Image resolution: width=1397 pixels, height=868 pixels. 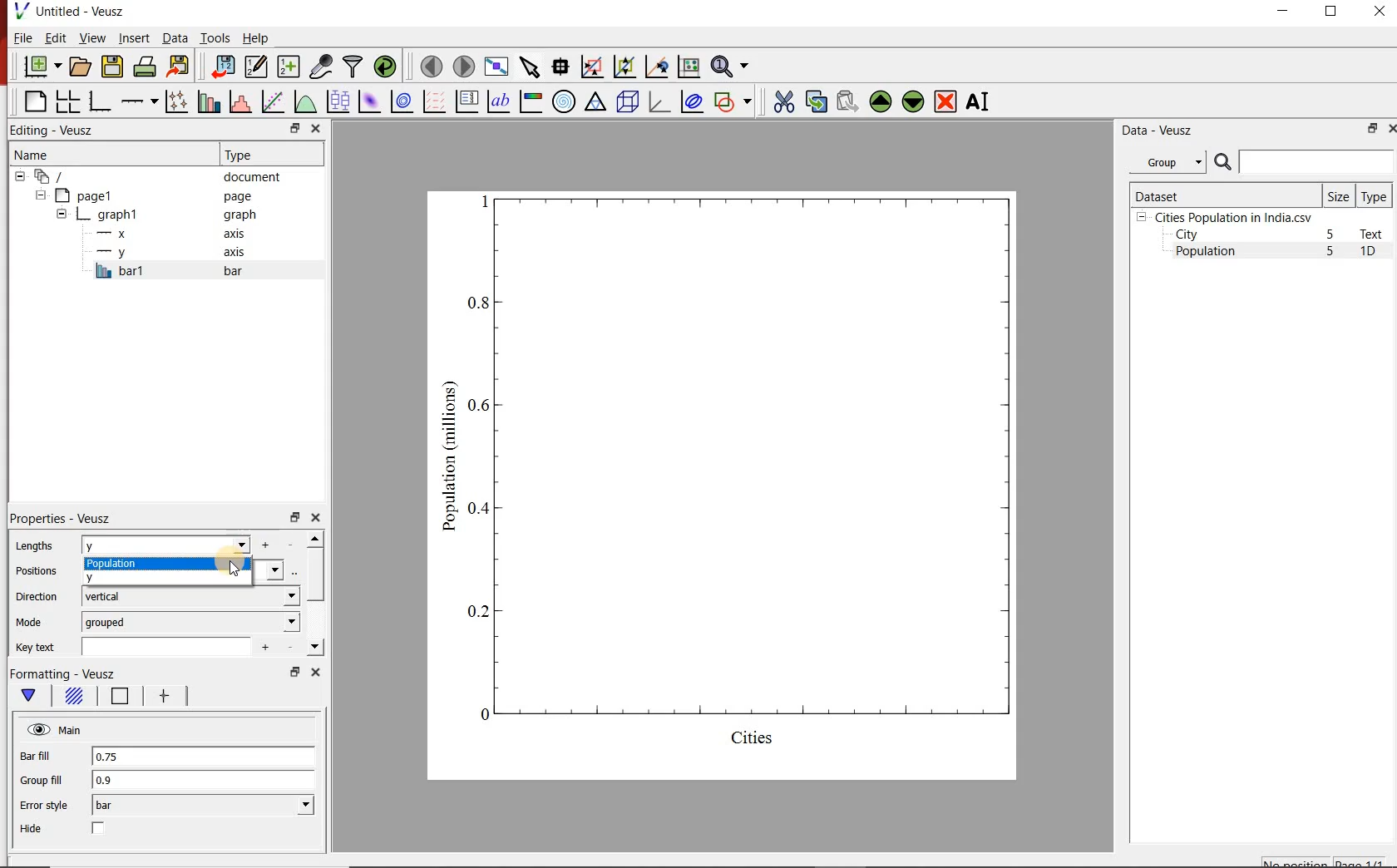 I want to click on filter data, so click(x=353, y=67).